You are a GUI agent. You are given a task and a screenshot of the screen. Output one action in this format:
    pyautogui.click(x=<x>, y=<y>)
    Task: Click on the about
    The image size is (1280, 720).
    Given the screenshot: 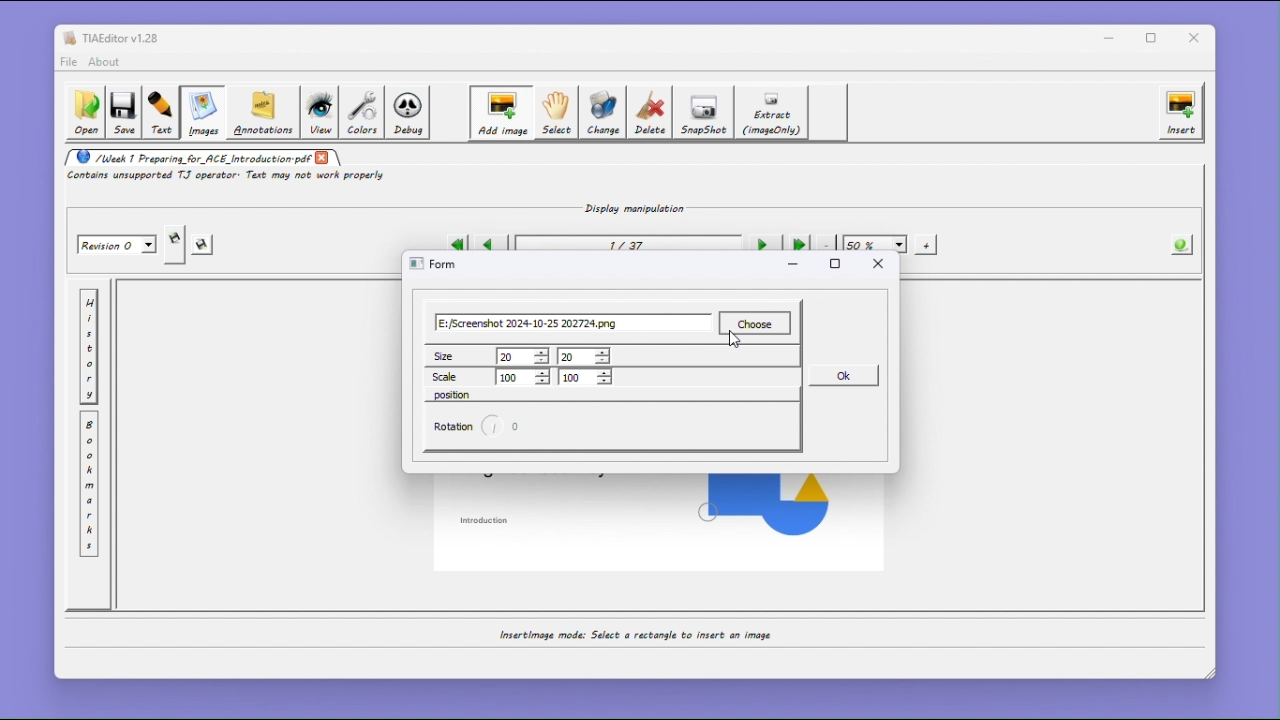 What is the action you would take?
    pyautogui.click(x=107, y=62)
    